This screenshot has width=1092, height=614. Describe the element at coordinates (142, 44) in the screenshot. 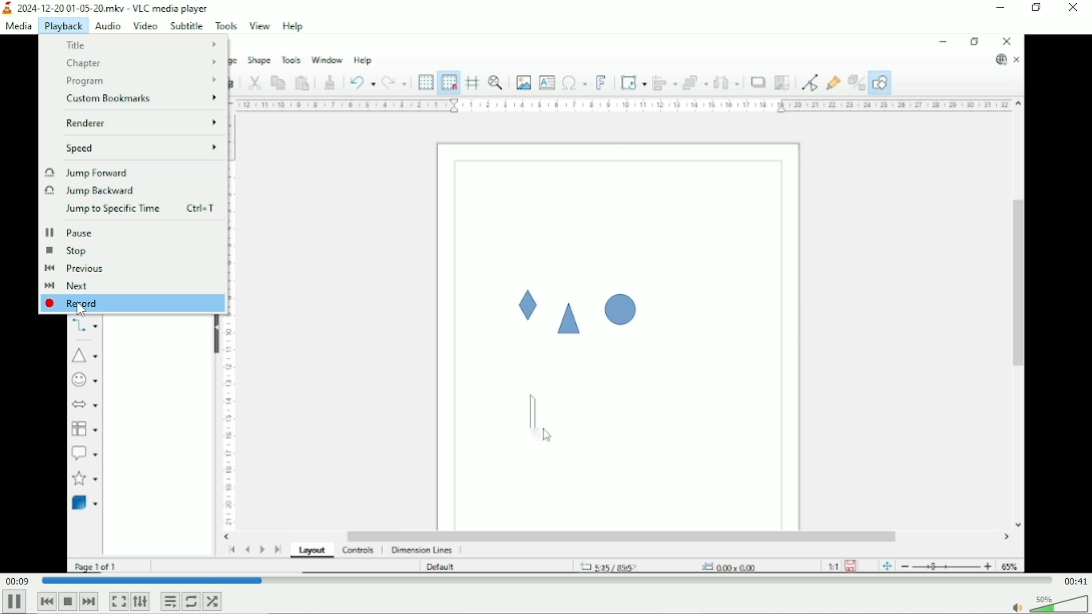

I see `Title` at that location.